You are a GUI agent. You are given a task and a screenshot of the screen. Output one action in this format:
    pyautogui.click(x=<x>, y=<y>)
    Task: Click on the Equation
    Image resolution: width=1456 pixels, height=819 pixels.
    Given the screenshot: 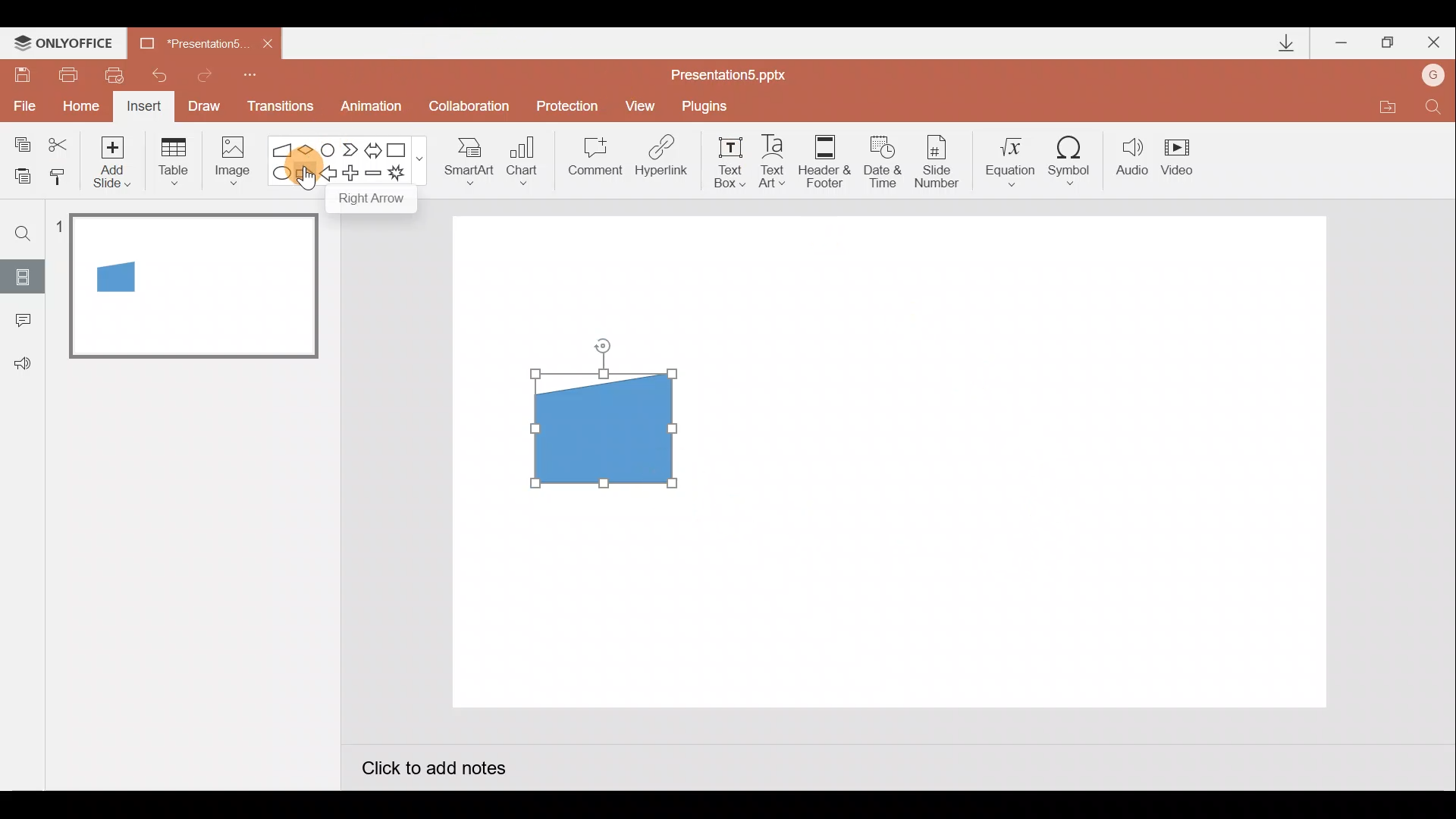 What is the action you would take?
    pyautogui.click(x=1013, y=159)
    